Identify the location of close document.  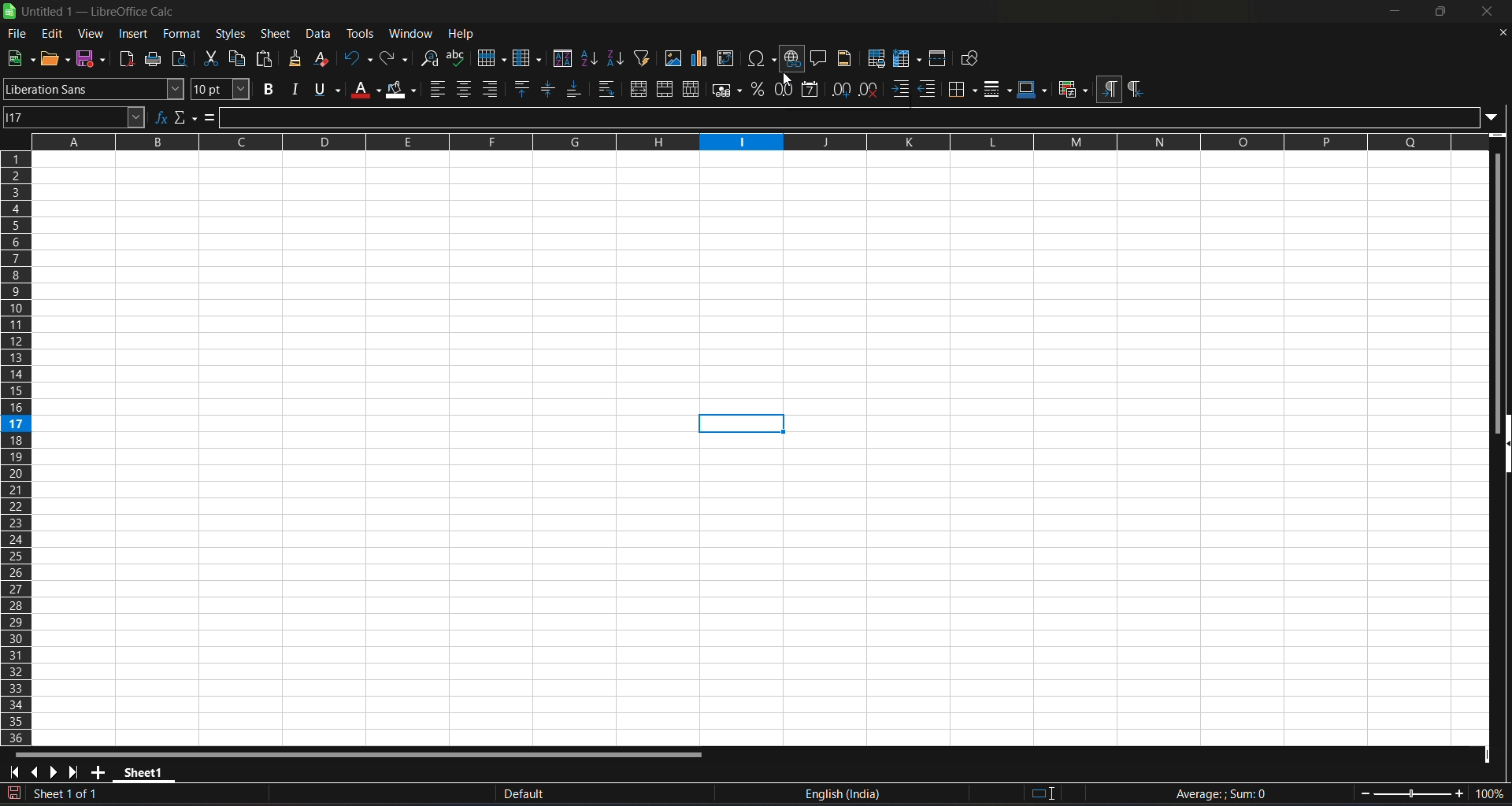
(1502, 33).